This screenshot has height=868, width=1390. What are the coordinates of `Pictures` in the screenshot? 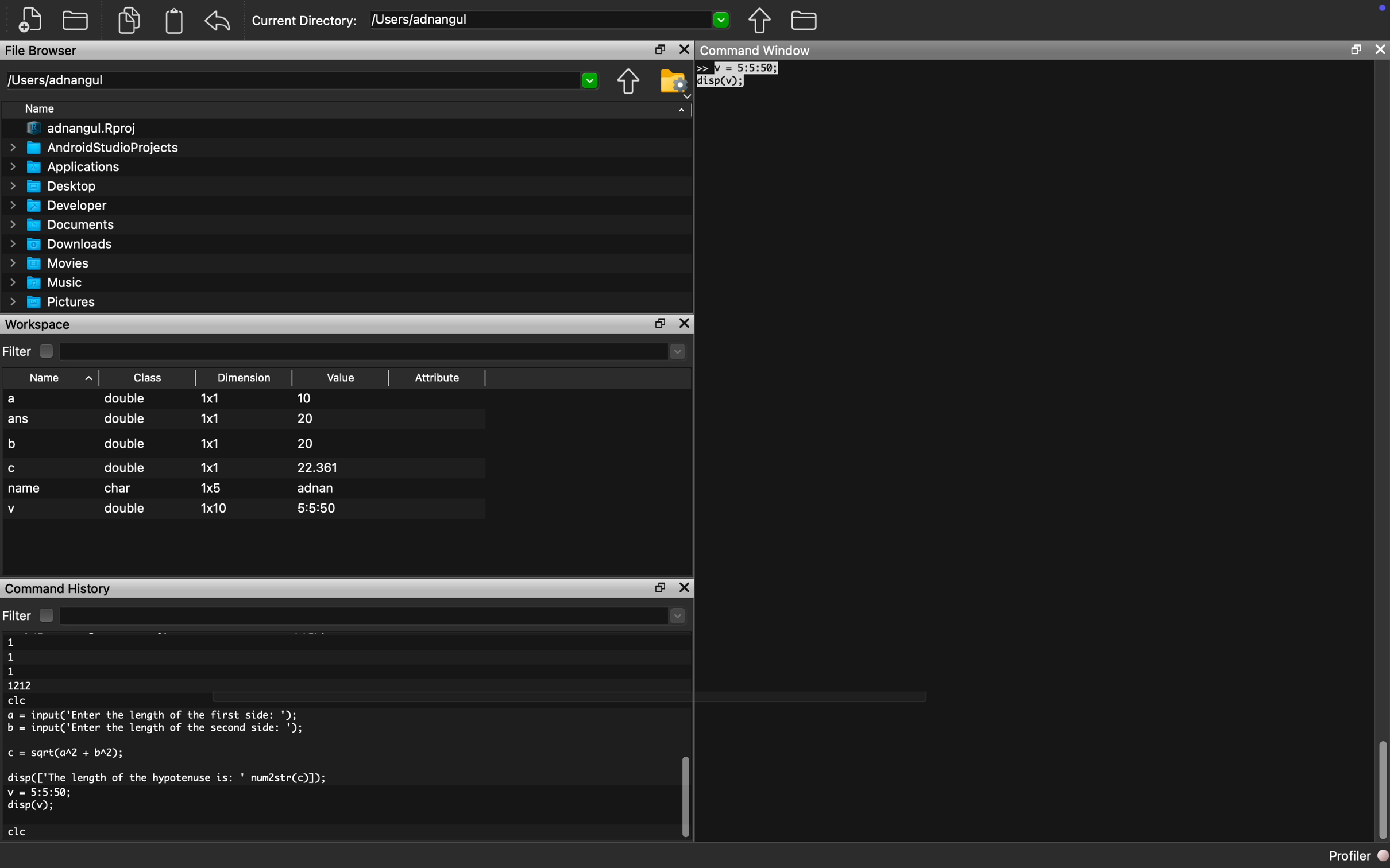 It's located at (51, 303).